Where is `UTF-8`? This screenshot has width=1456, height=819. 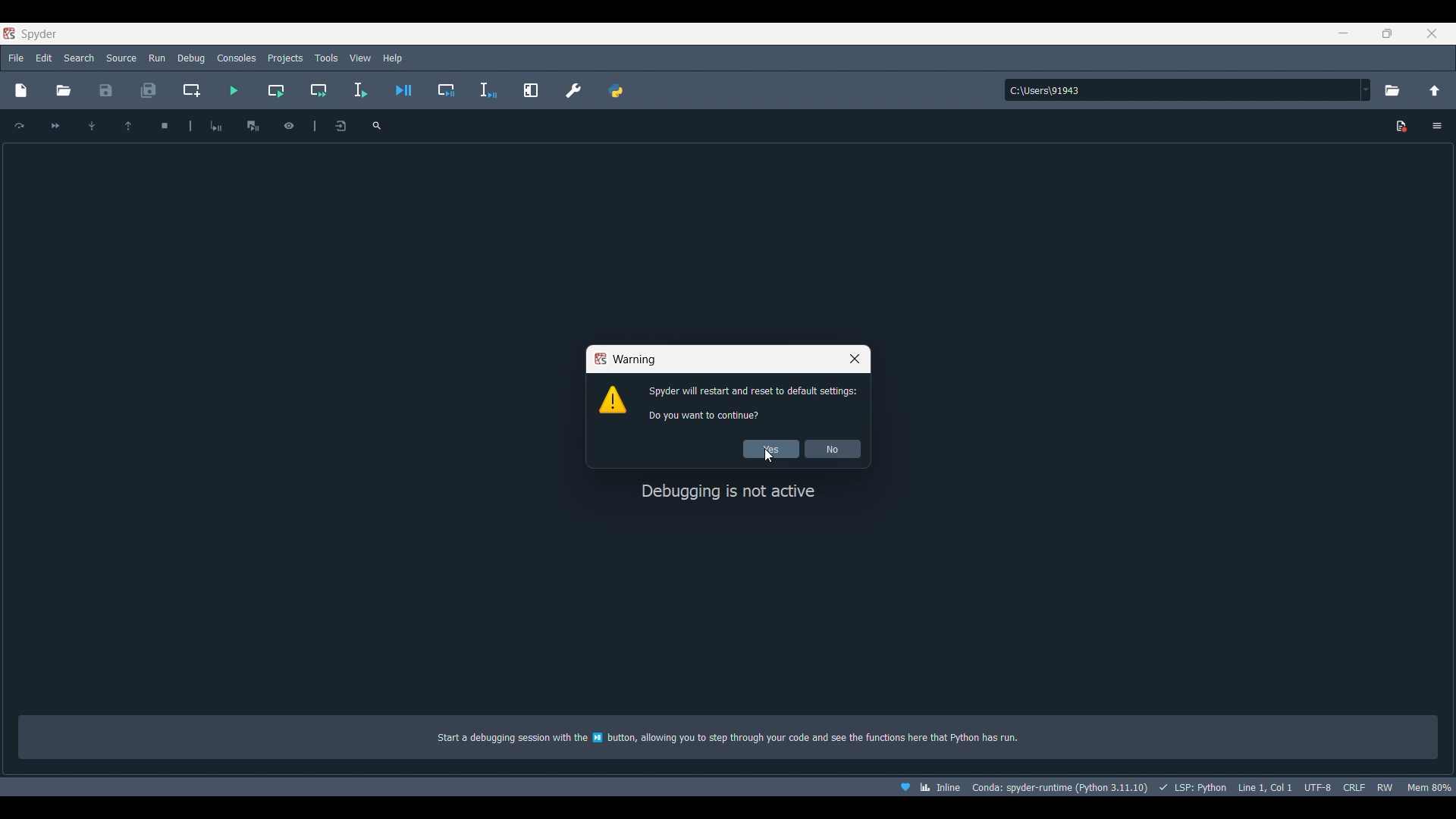 UTF-8 is located at coordinates (1317, 786).